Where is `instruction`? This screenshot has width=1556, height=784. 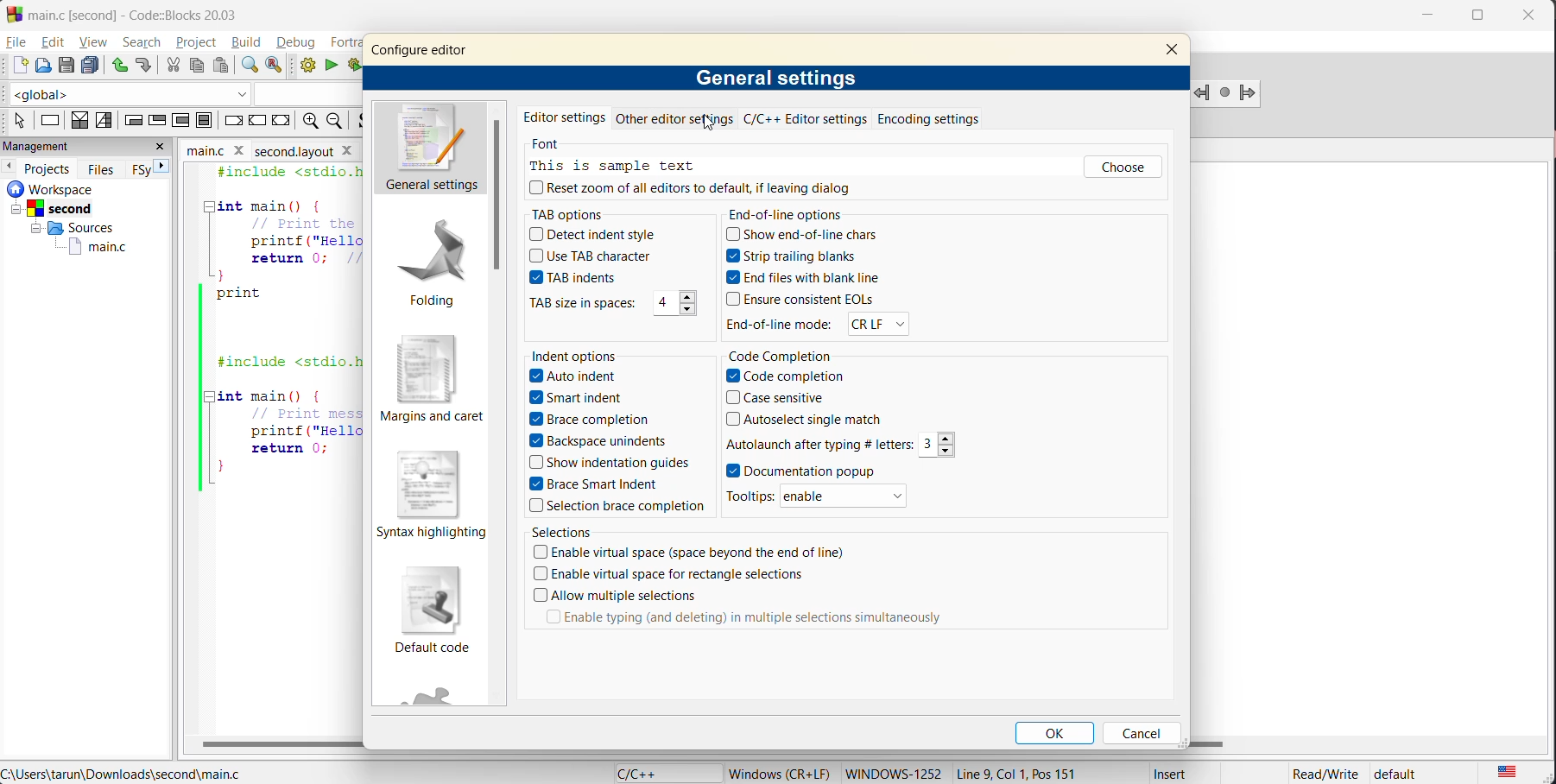 instruction is located at coordinates (51, 120).